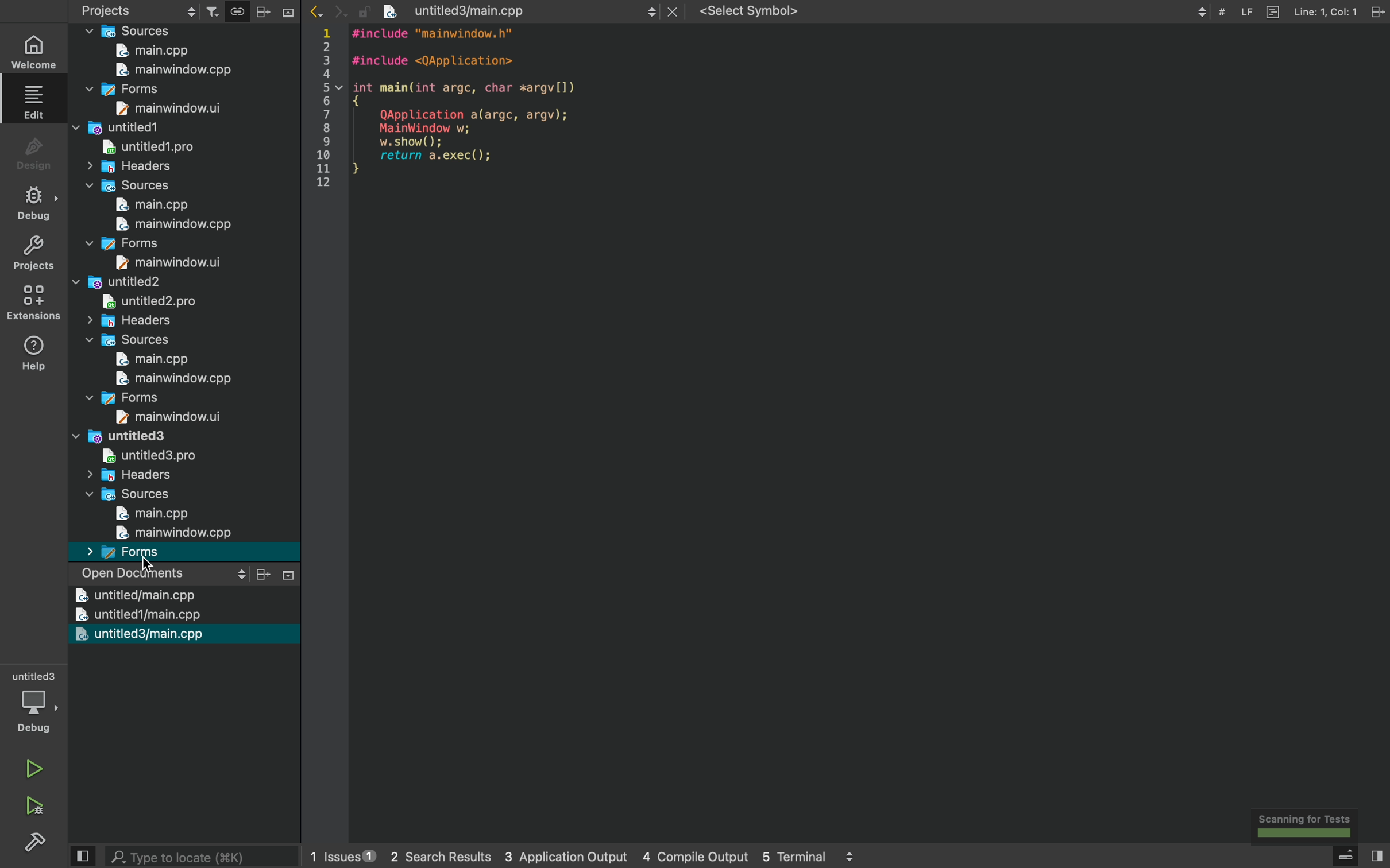 The width and height of the screenshot is (1390, 868). I want to click on , so click(38, 844).